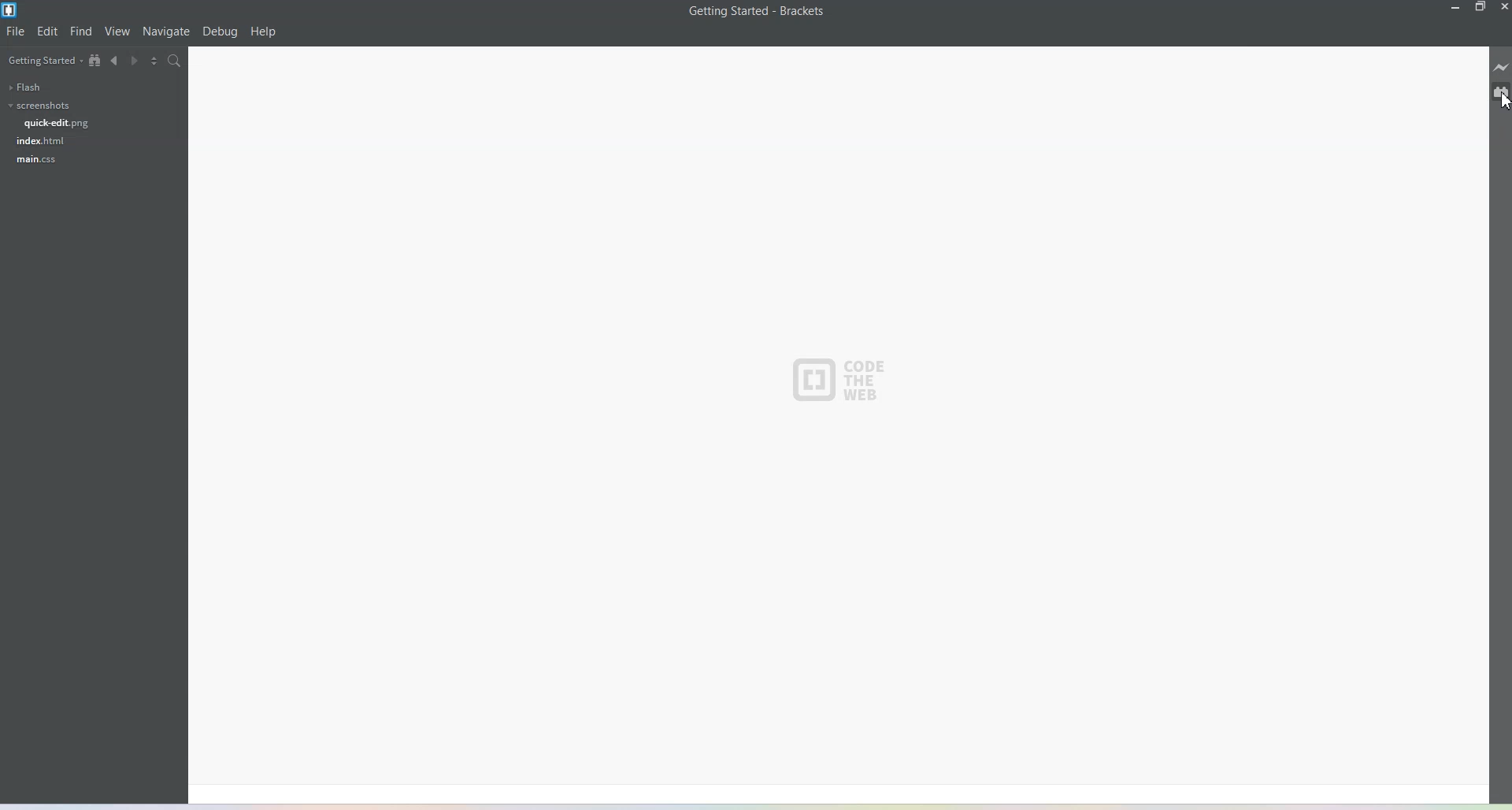 The width and height of the screenshot is (1512, 810). What do you see at coordinates (264, 32) in the screenshot?
I see `Help` at bounding box center [264, 32].